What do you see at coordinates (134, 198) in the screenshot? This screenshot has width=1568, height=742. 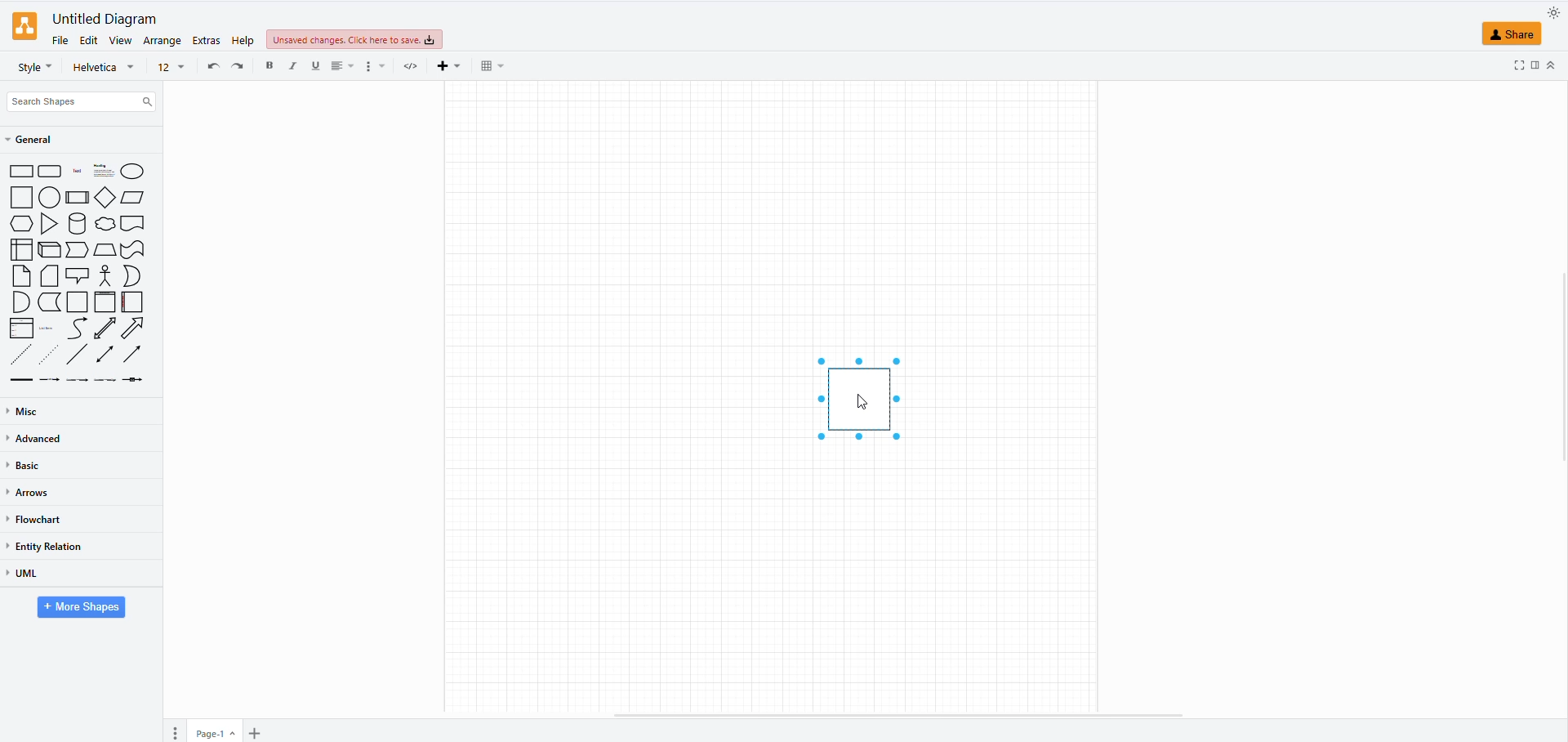 I see `parellelogram` at bounding box center [134, 198].